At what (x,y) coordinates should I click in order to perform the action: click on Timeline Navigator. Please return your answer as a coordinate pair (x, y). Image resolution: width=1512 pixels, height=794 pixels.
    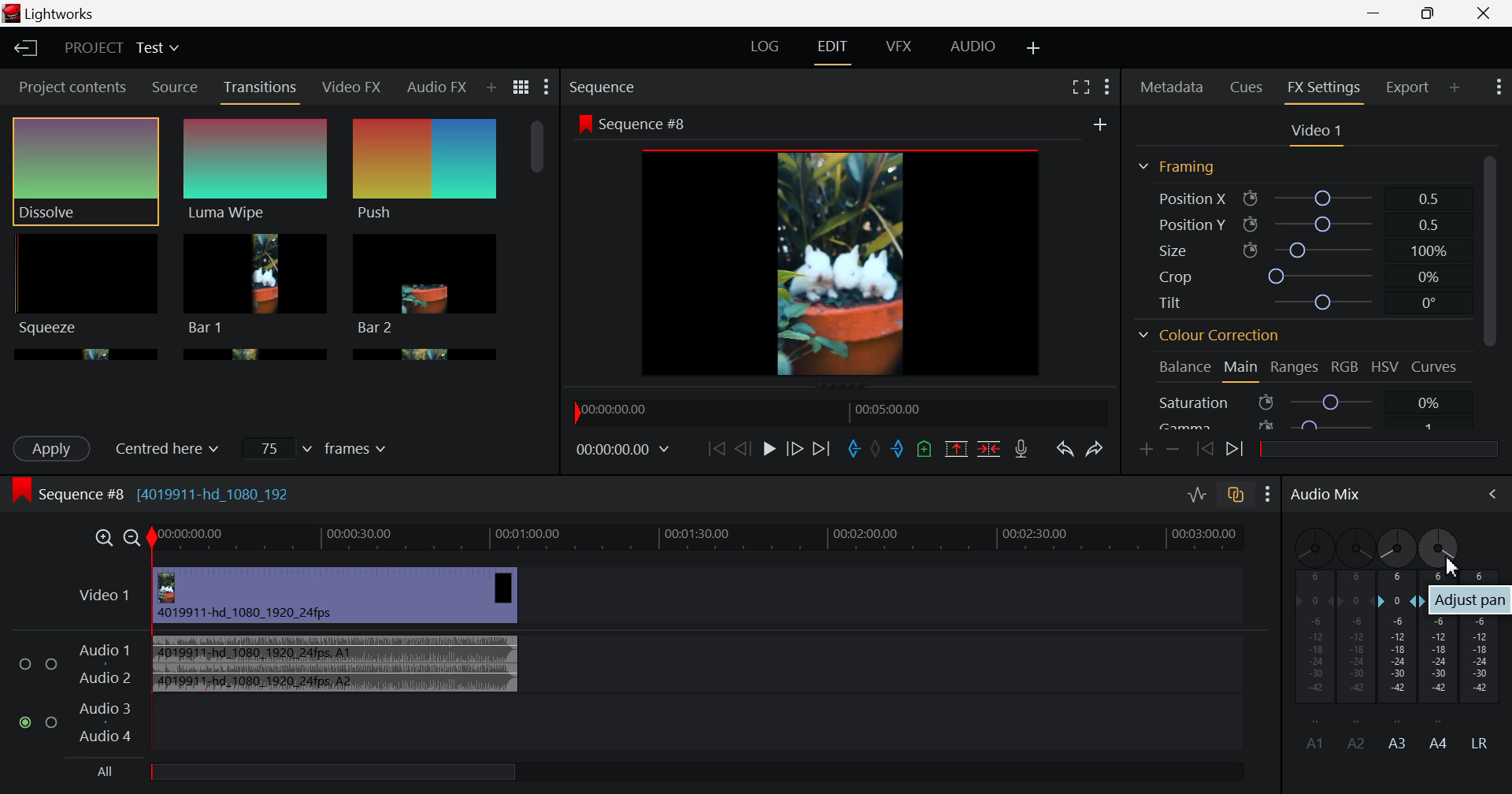
    Looking at the image, I should click on (841, 412).